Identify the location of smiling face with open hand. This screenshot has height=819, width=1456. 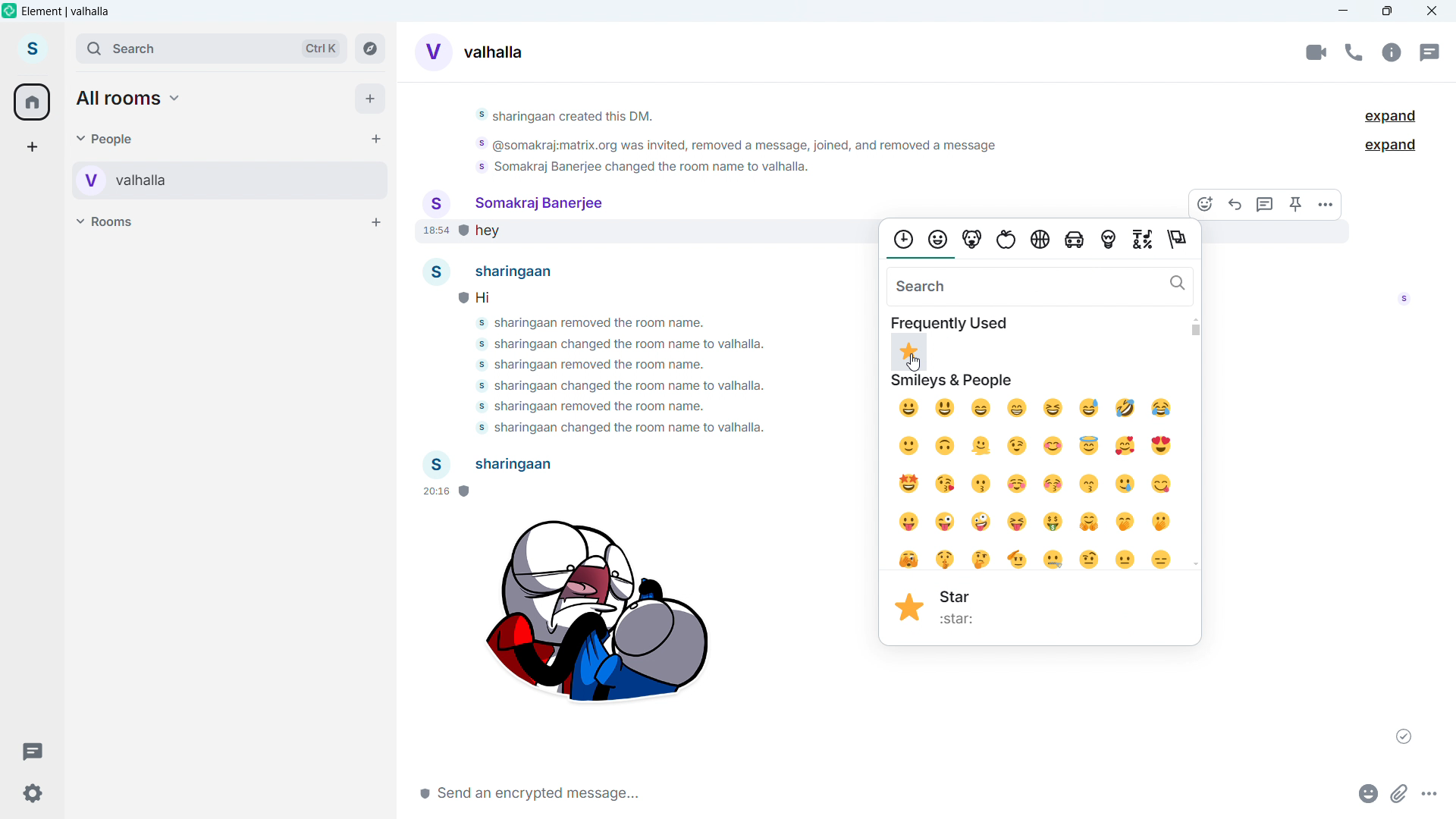
(1091, 522).